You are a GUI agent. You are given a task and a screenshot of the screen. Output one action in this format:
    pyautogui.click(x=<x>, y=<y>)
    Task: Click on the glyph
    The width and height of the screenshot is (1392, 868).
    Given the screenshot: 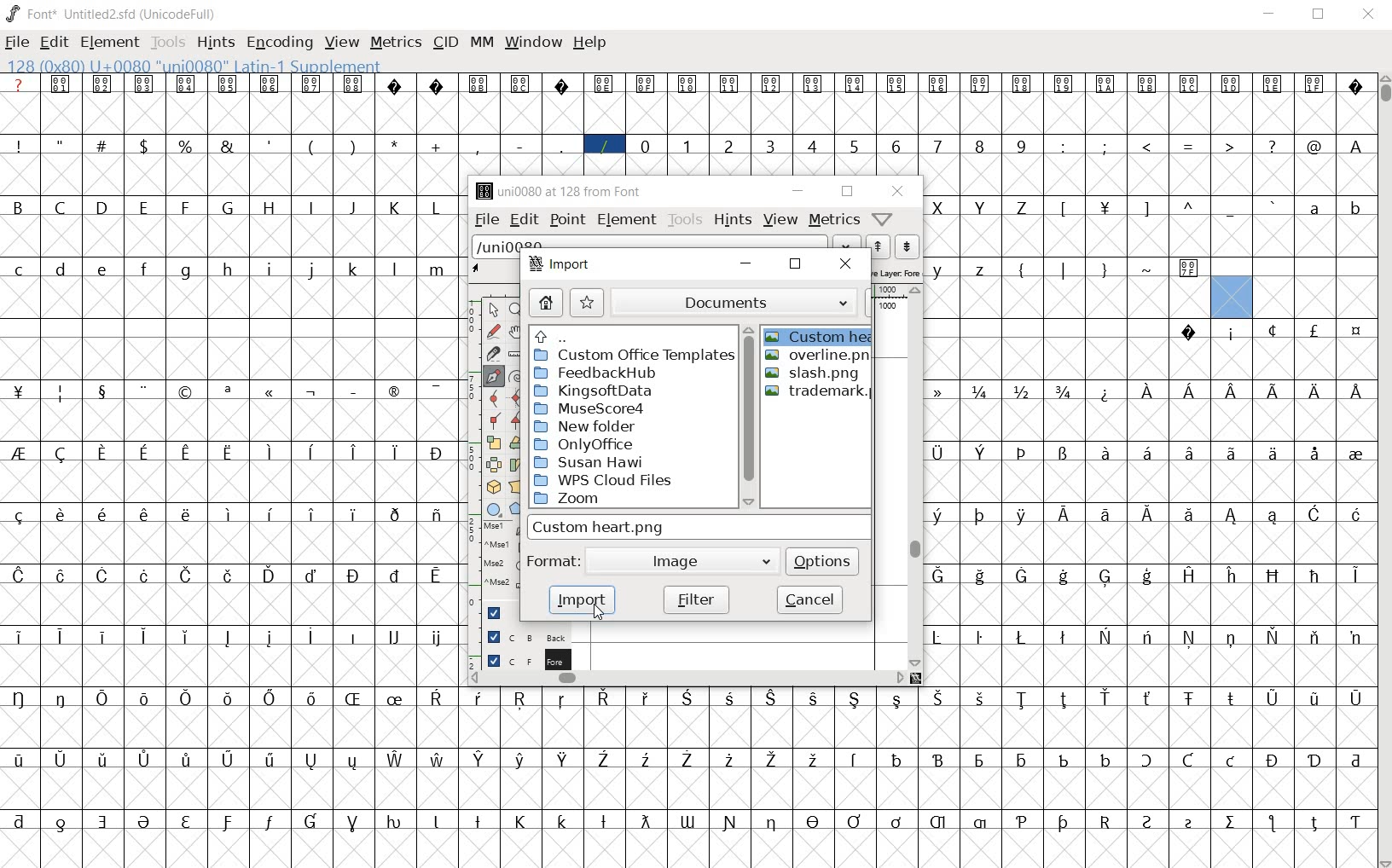 What is the action you would take?
    pyautogui.click(x=1314, y=209)
    